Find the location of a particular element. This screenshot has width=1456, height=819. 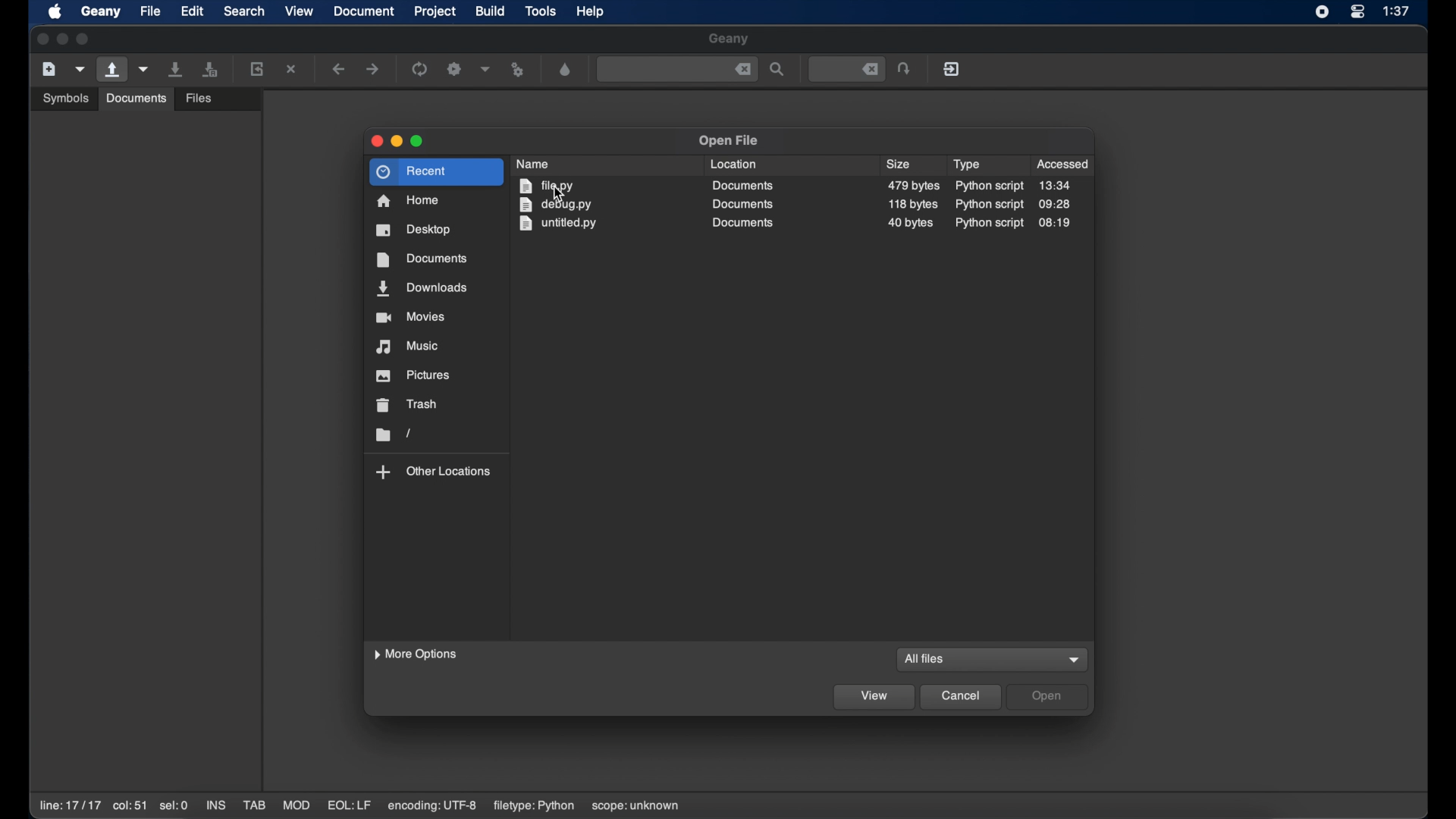

all files is located at coordinates (923, 660).